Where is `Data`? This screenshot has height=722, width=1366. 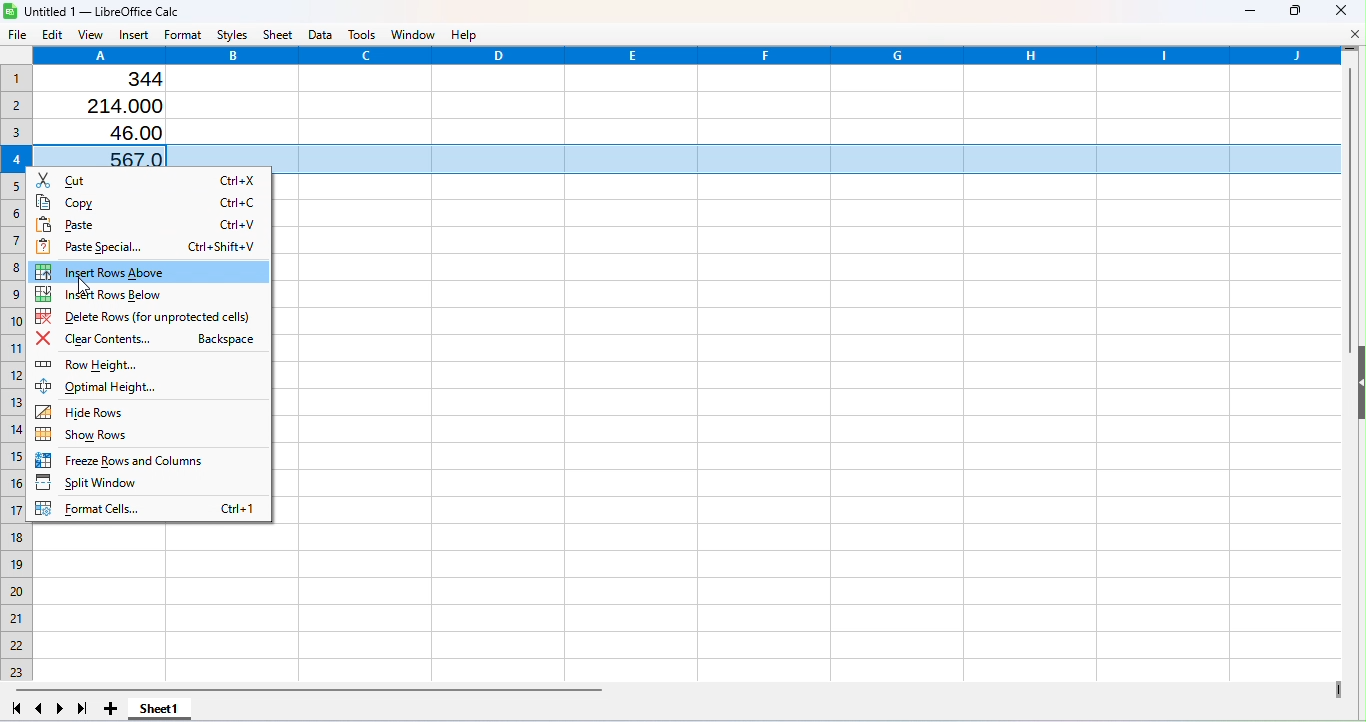
Data is located at coordinates (322, 34).